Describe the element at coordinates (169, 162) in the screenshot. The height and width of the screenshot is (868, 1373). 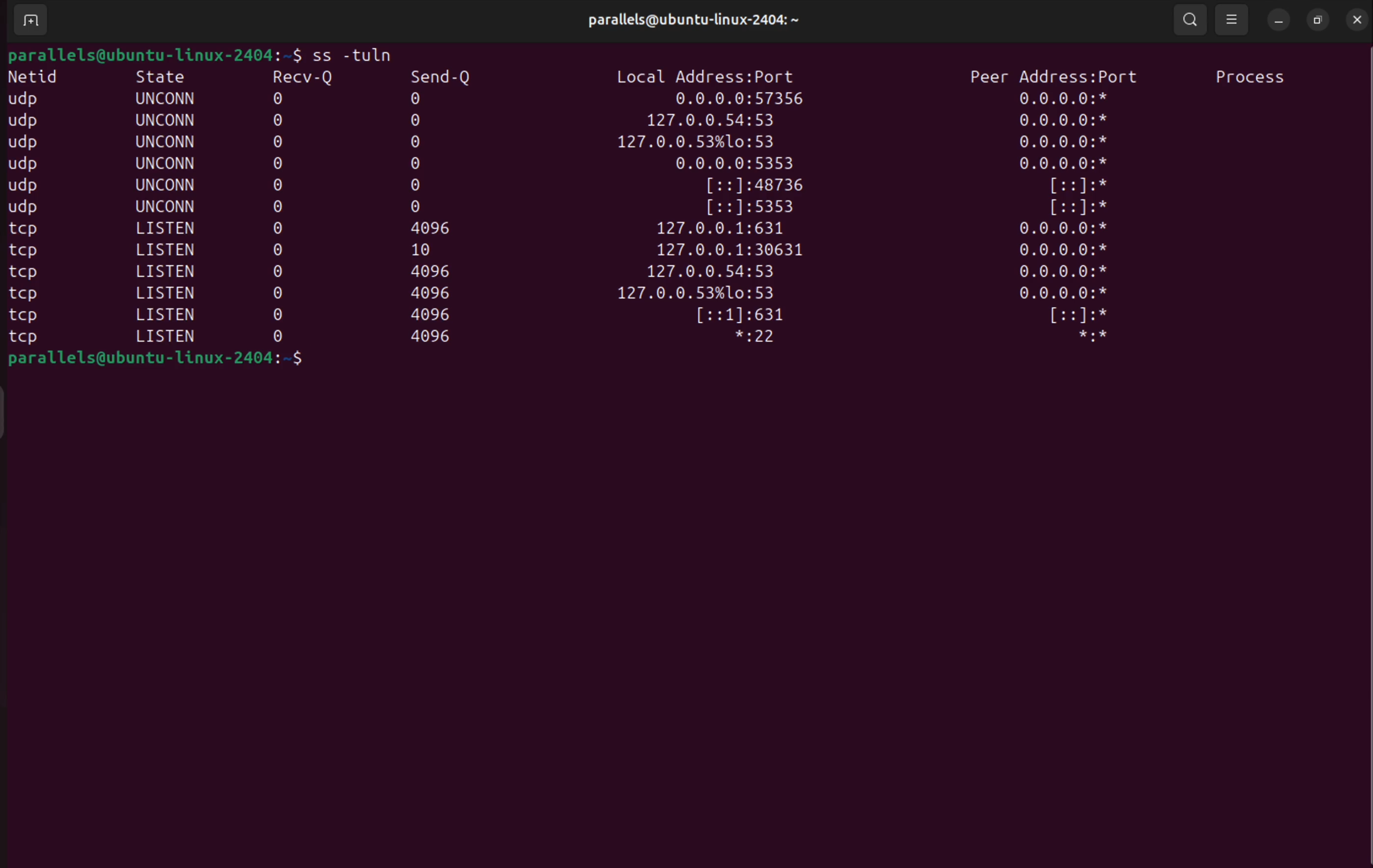
I see `unicorn` at that location.